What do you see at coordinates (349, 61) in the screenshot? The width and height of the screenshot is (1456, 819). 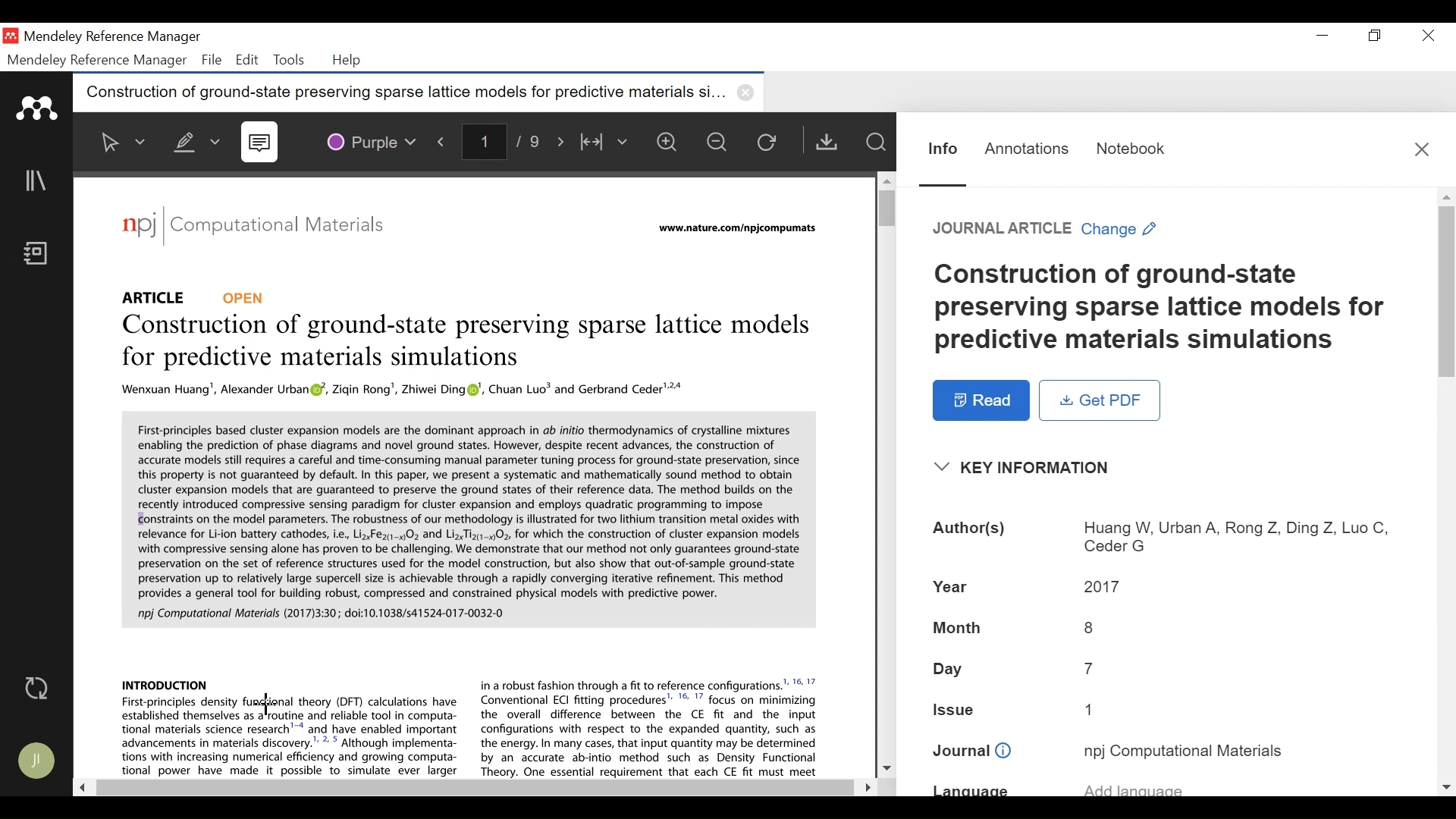 I see `Help` at bounding box center [349, 61].